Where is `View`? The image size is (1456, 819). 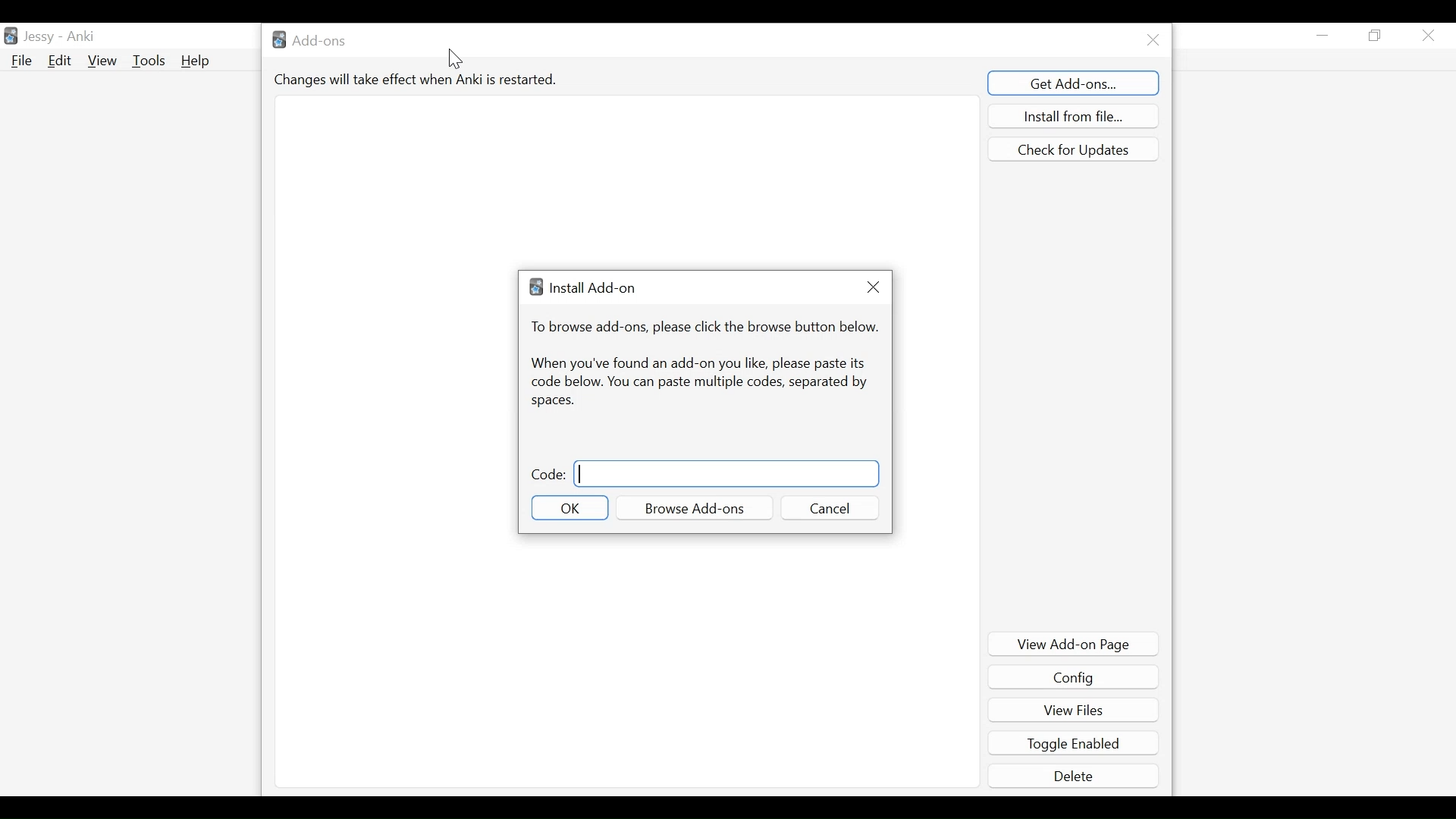 View is located at coordinates (102, 60).